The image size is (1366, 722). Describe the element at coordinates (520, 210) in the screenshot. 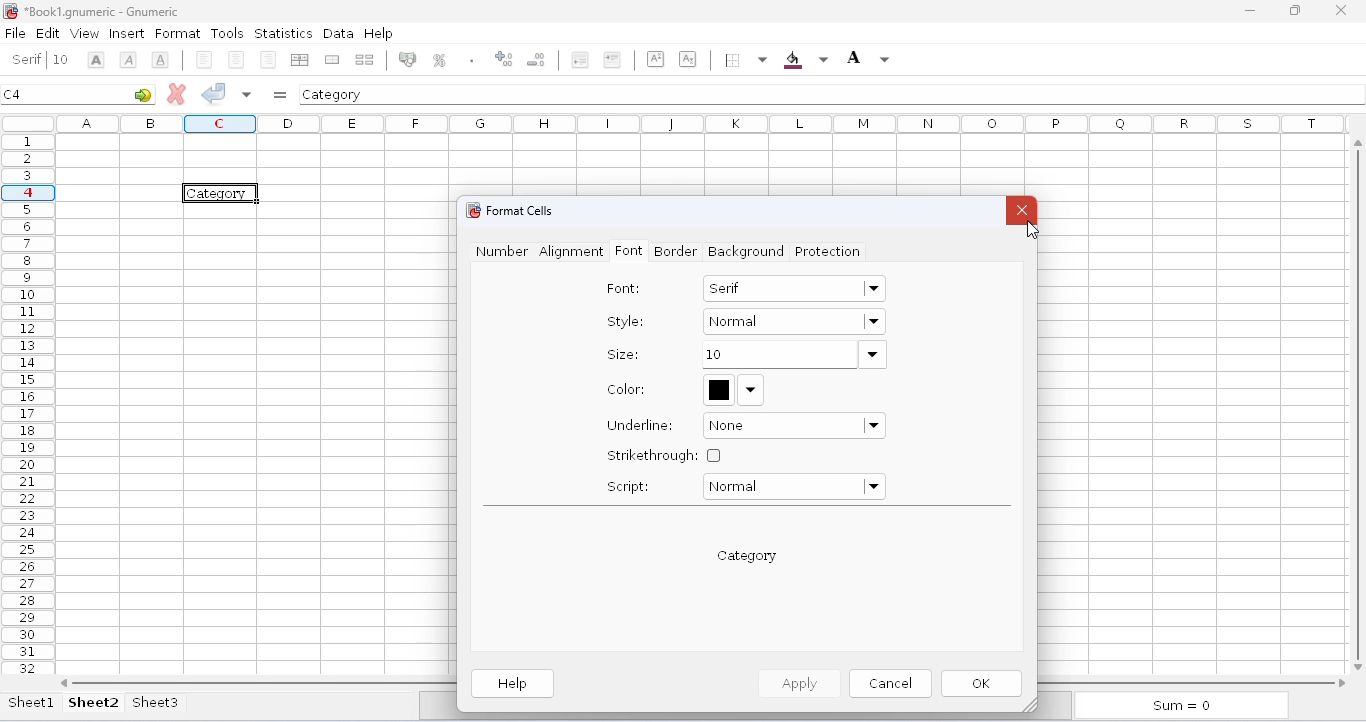

I see `format cells` at that location.